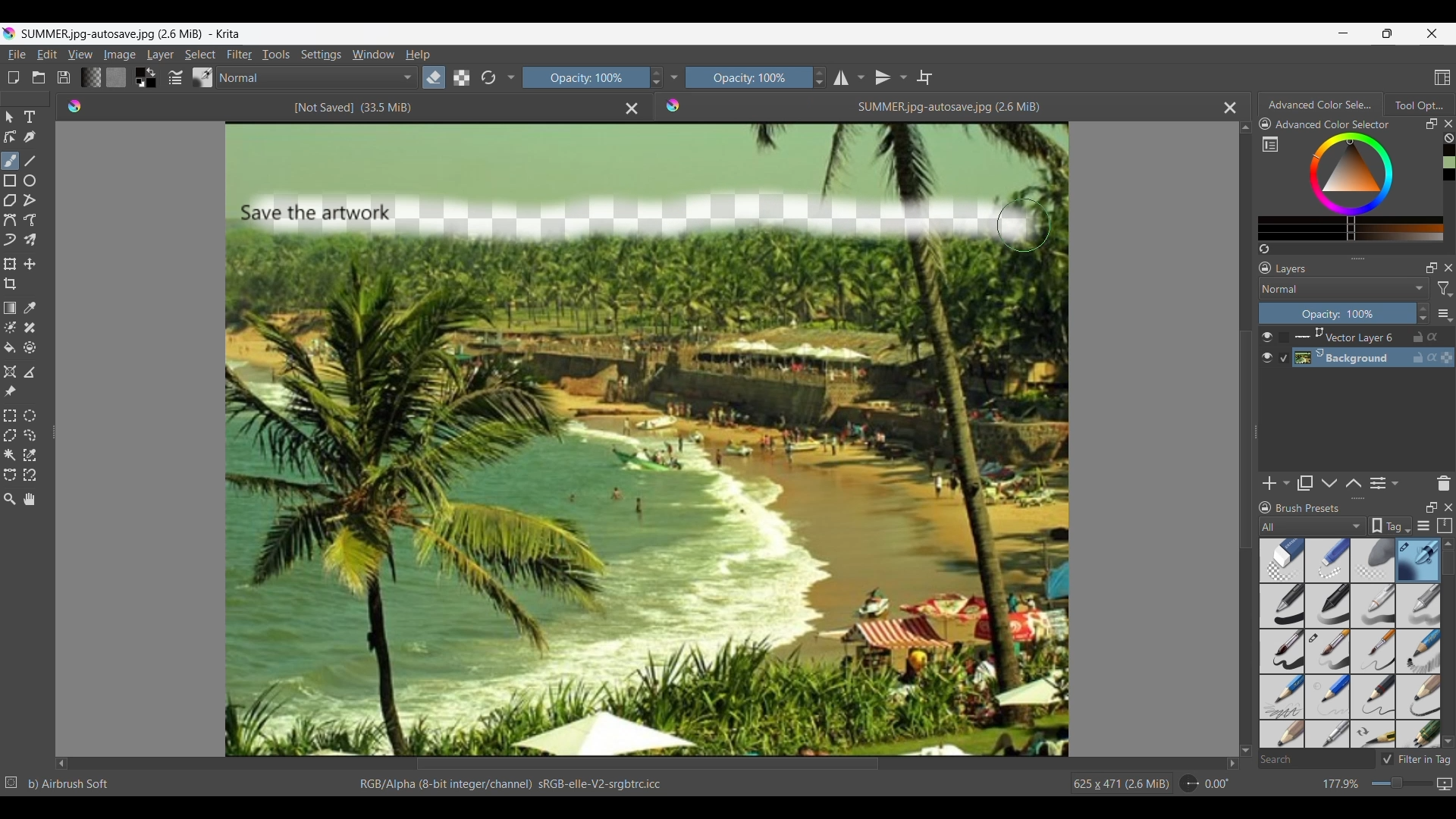 The image size is (1456, 819). I want to click on Window, so click(373, 55).